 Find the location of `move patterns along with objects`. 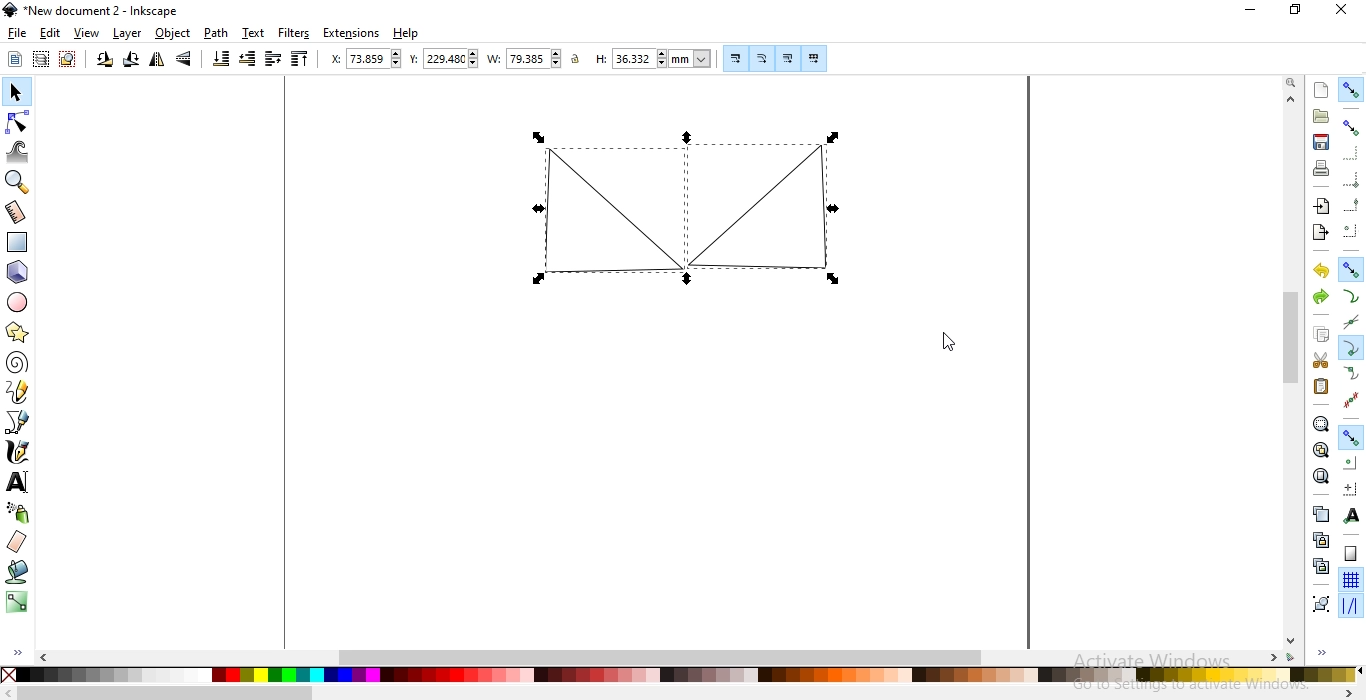

move patterns along with objects is located at coordinates (814, 56).